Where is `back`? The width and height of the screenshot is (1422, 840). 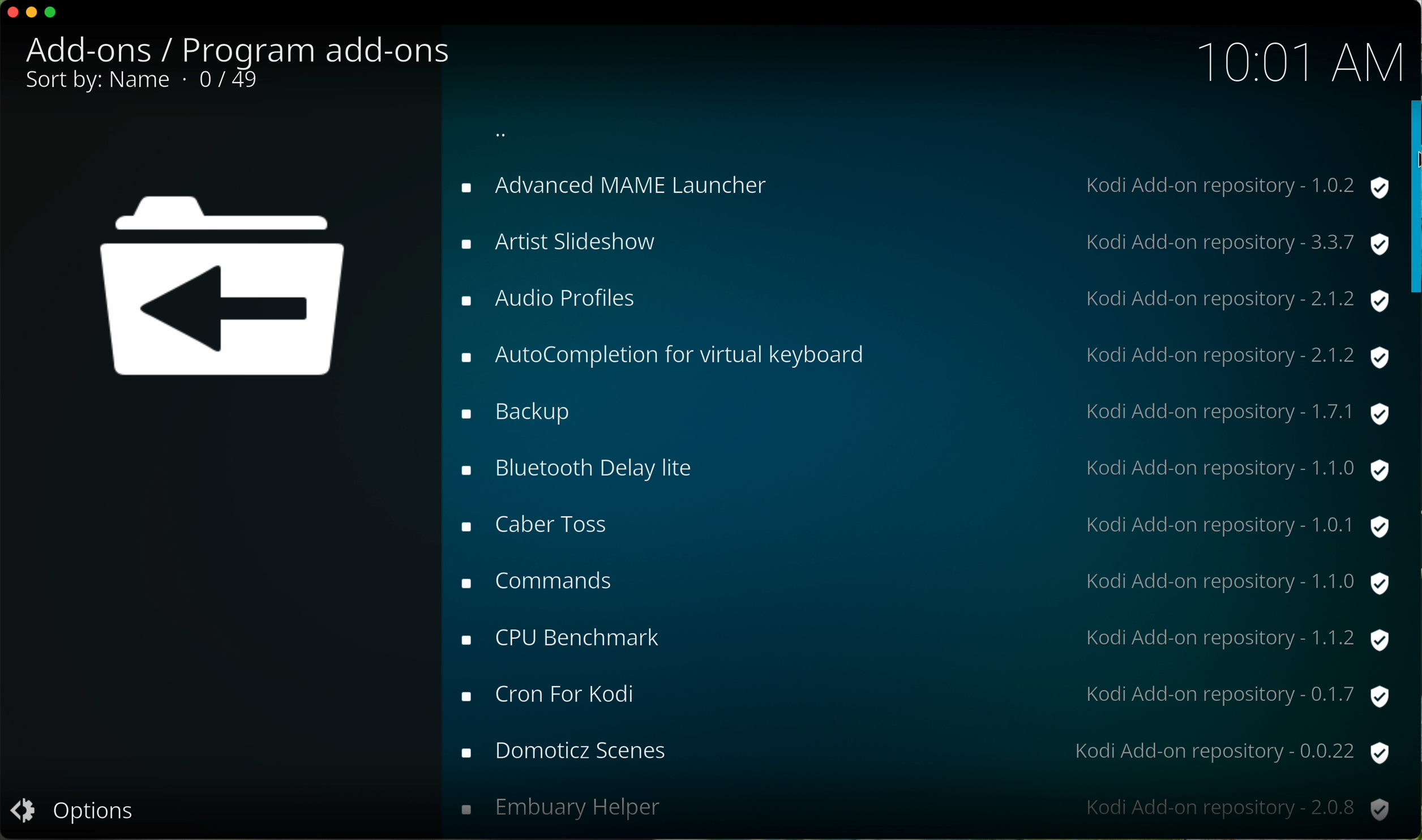 back is located at coordinates (501, 134).